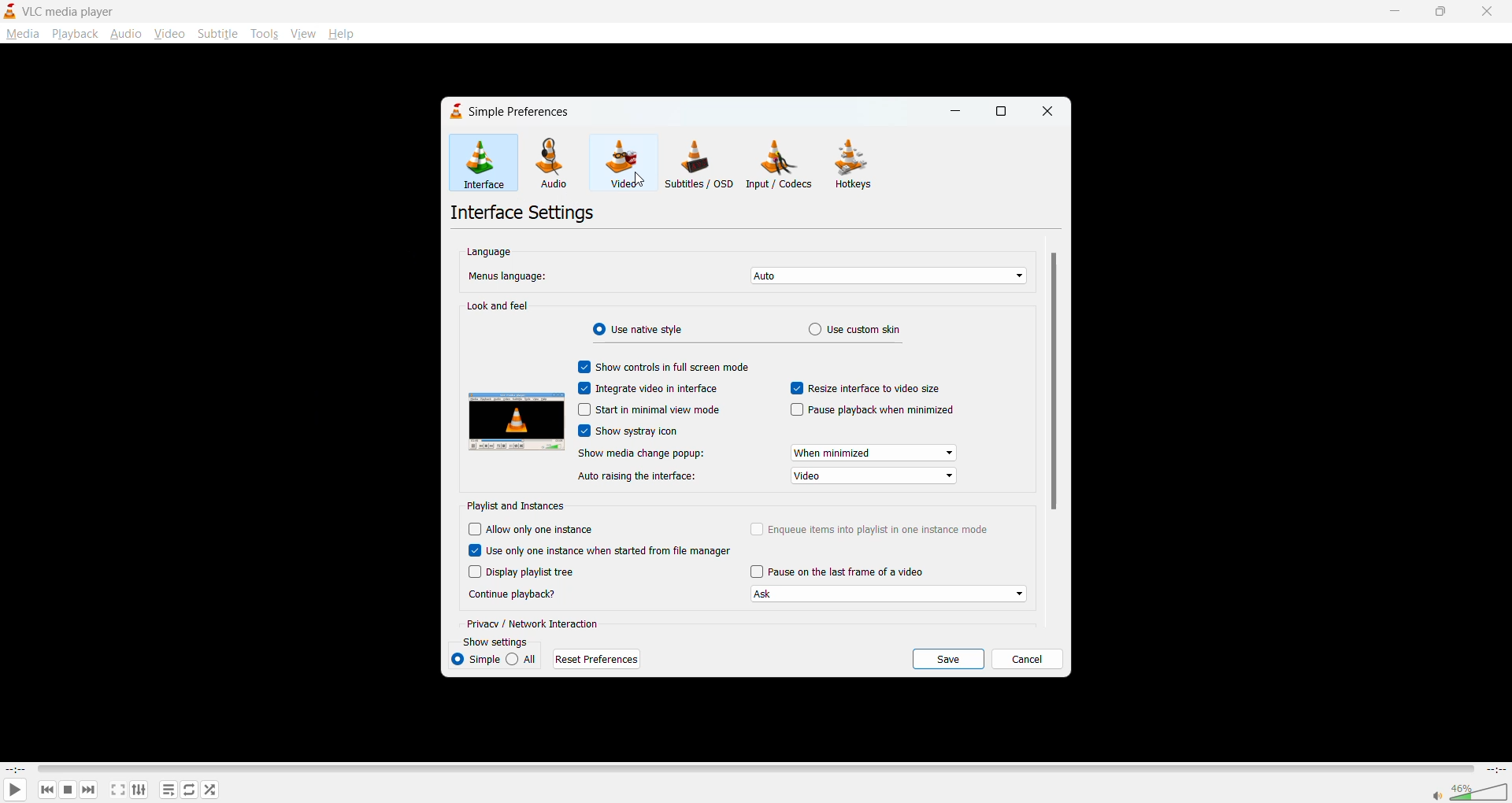 Image resolution: width=1512 pixels, height=803 pixels. I want to click on menus language, so click(750, 278).